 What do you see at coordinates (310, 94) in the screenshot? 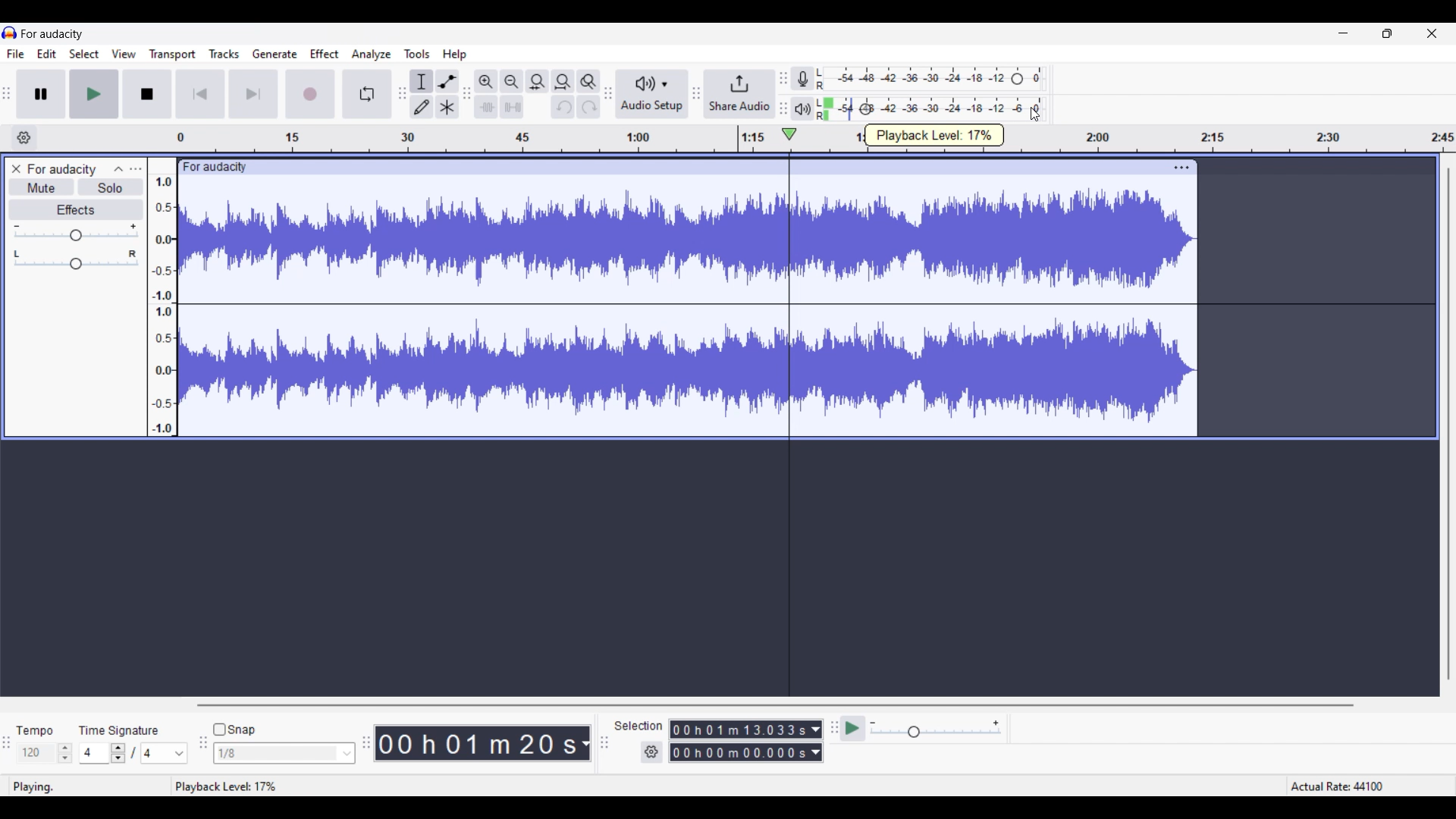
I see `Record/Record new track` at bounding box center [310, 94].